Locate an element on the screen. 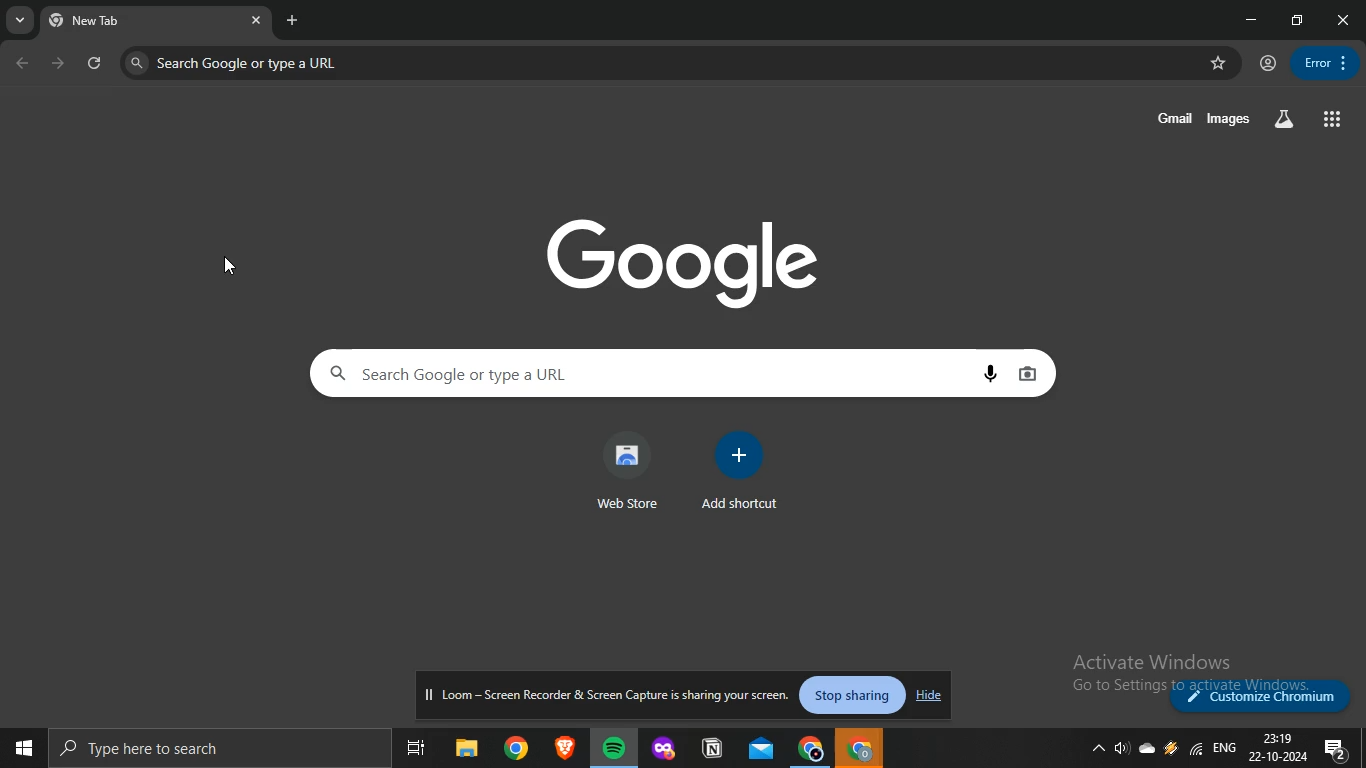 The image size is (1366, 768). minimize is located at coordinates (1255, 20).